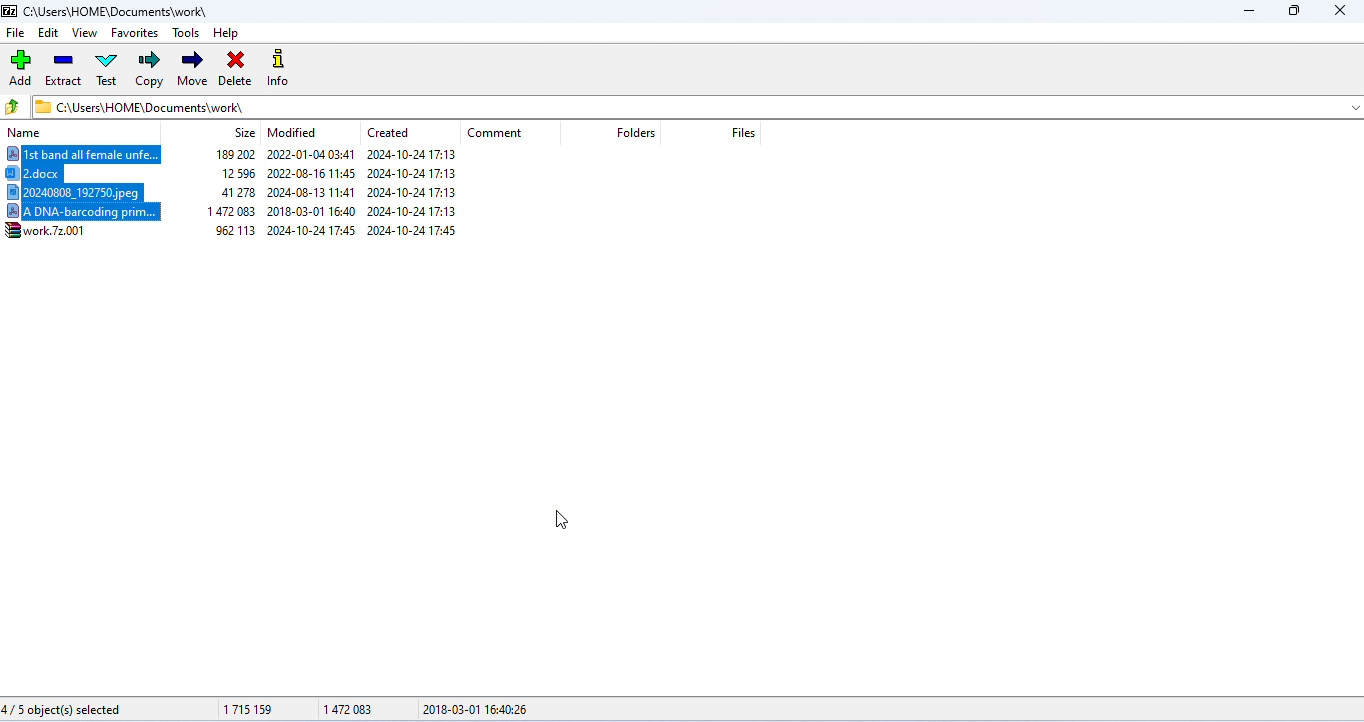 The height and width of the screenshot is (722, 1364). Describe the element at coordinates (249, 709) in the screenshot. I see `1715159` at that location.